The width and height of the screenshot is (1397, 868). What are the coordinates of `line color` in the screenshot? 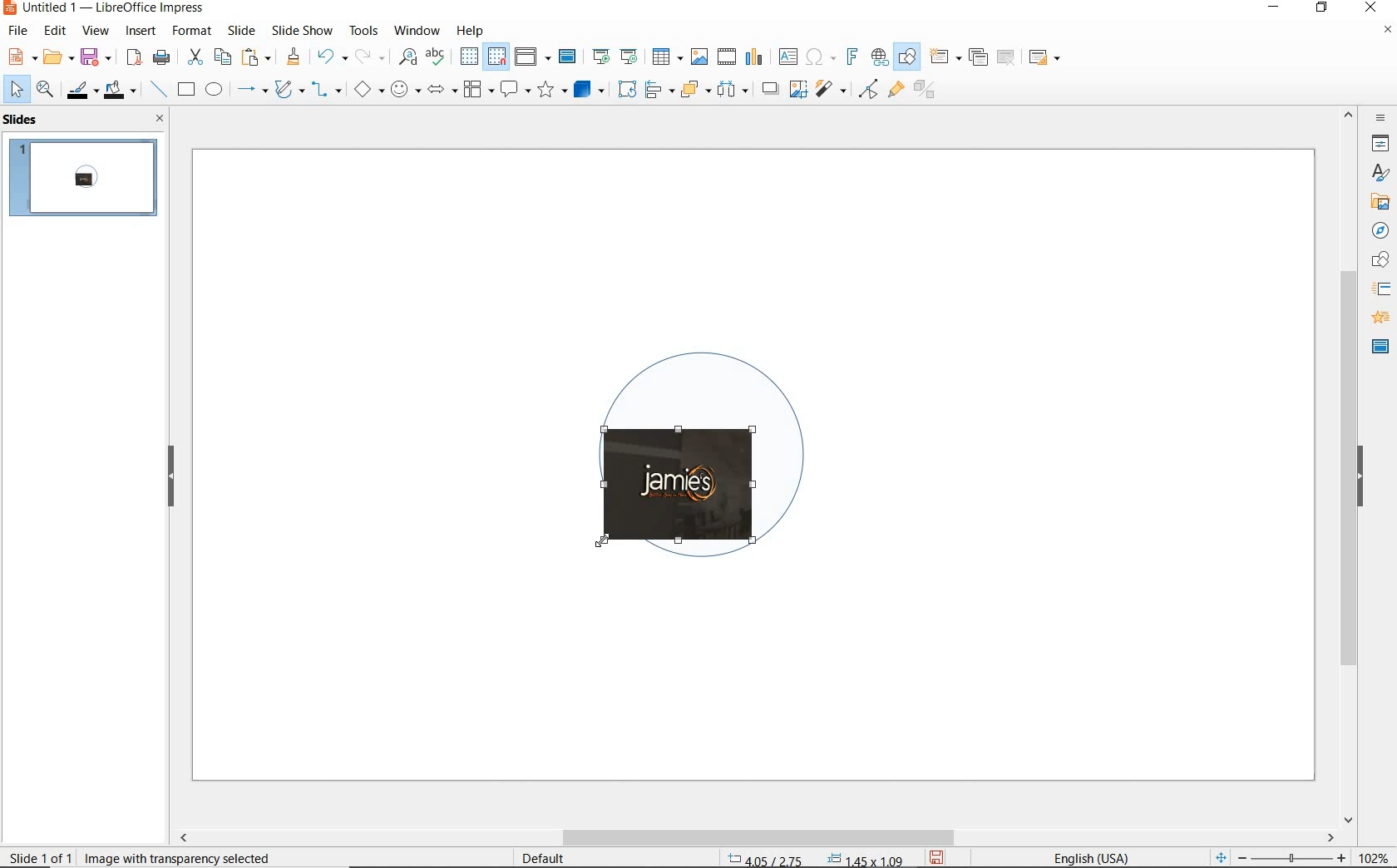 It's located at (81, 90).